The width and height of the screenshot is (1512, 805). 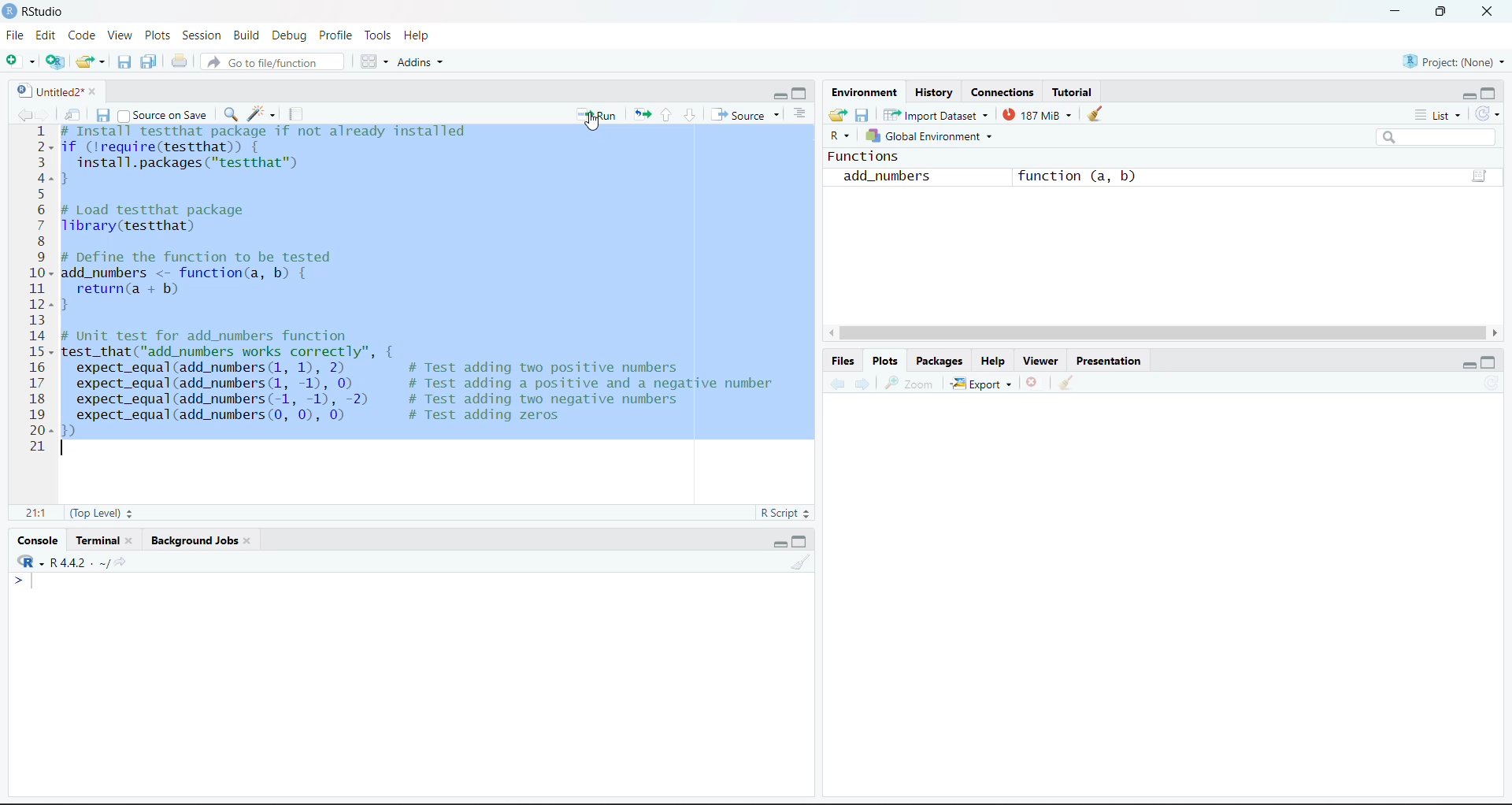 What do you see at coordinates (166, 116) in the screenshot?
I see `source on save` at bounding box center [166, 116].